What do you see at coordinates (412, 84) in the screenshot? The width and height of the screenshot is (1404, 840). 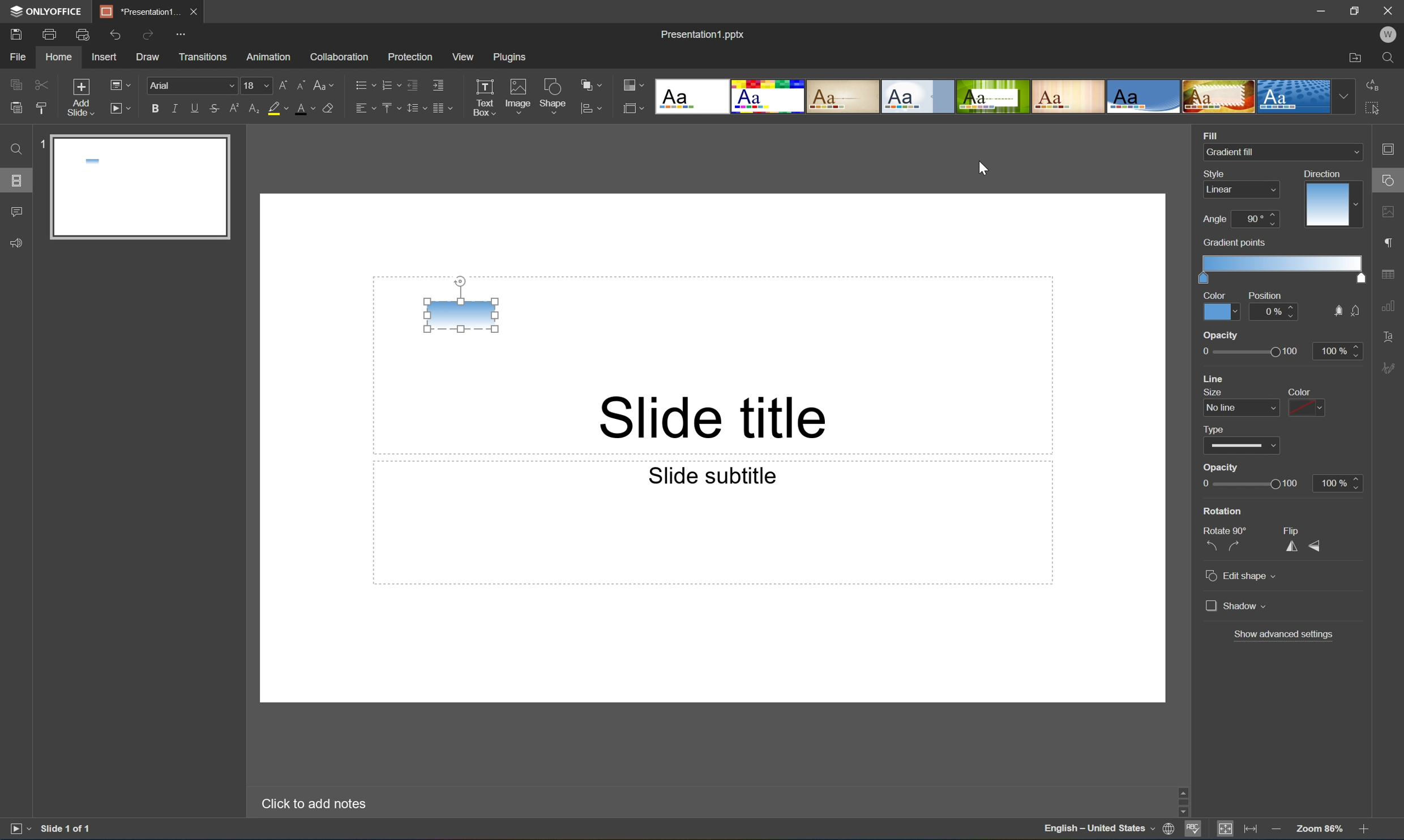 I see `Decrease indent` at bounding box center [412, 84].